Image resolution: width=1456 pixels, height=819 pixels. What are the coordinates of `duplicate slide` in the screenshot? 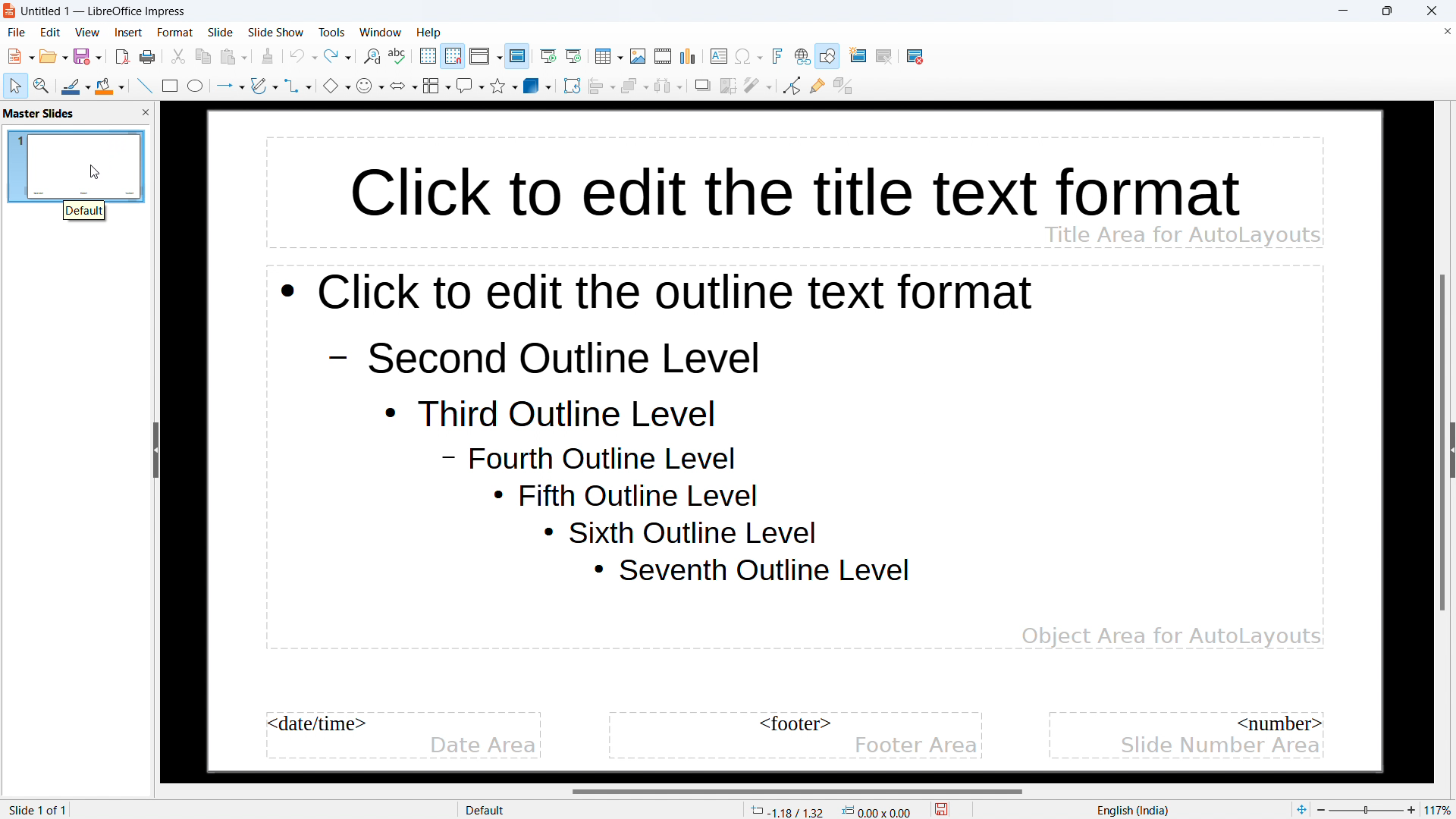 It's located at (893, 57).